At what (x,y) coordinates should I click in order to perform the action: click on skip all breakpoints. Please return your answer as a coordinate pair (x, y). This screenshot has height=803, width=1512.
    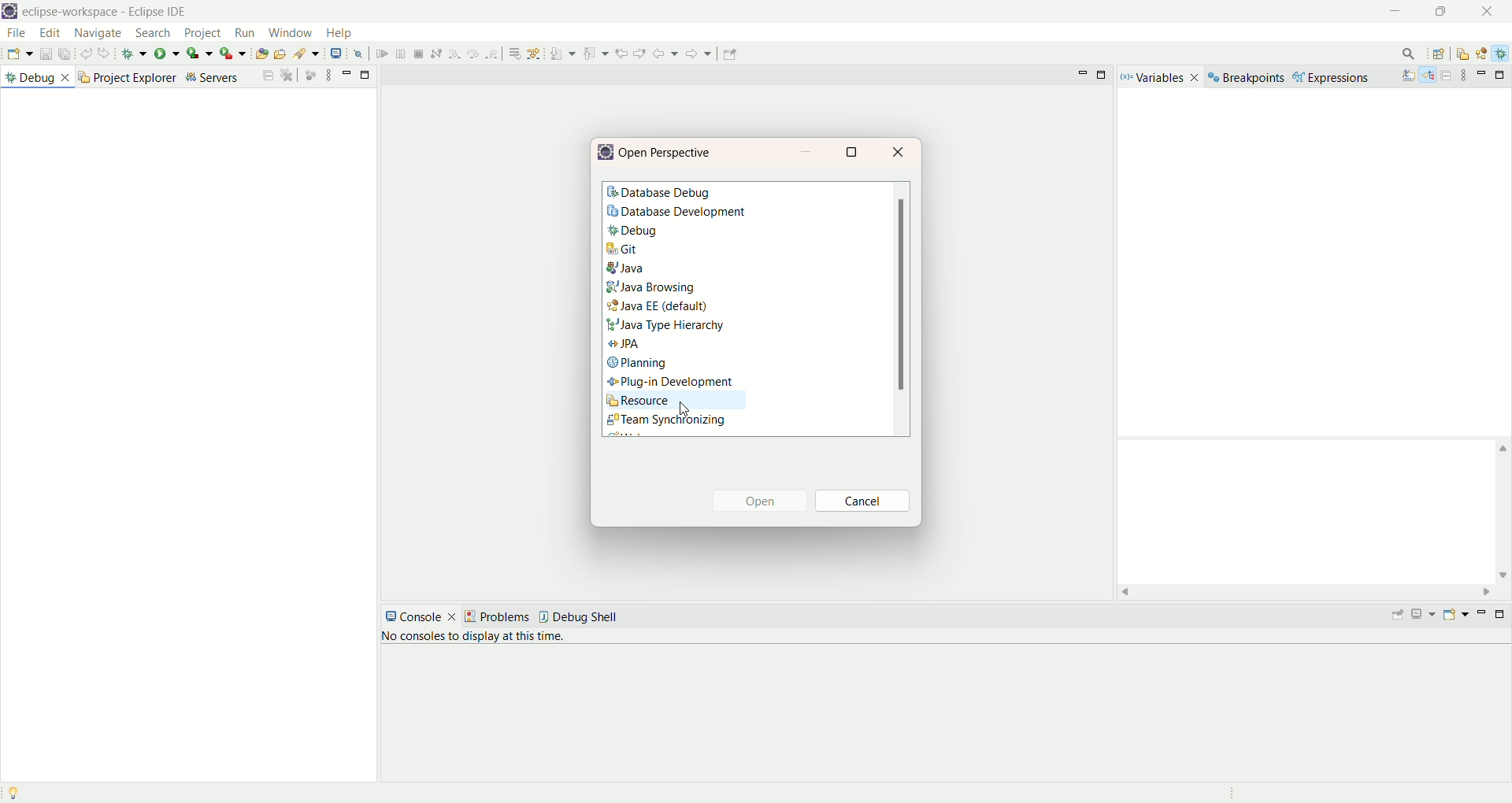
    Looking at the image, I should click on (472, 55).